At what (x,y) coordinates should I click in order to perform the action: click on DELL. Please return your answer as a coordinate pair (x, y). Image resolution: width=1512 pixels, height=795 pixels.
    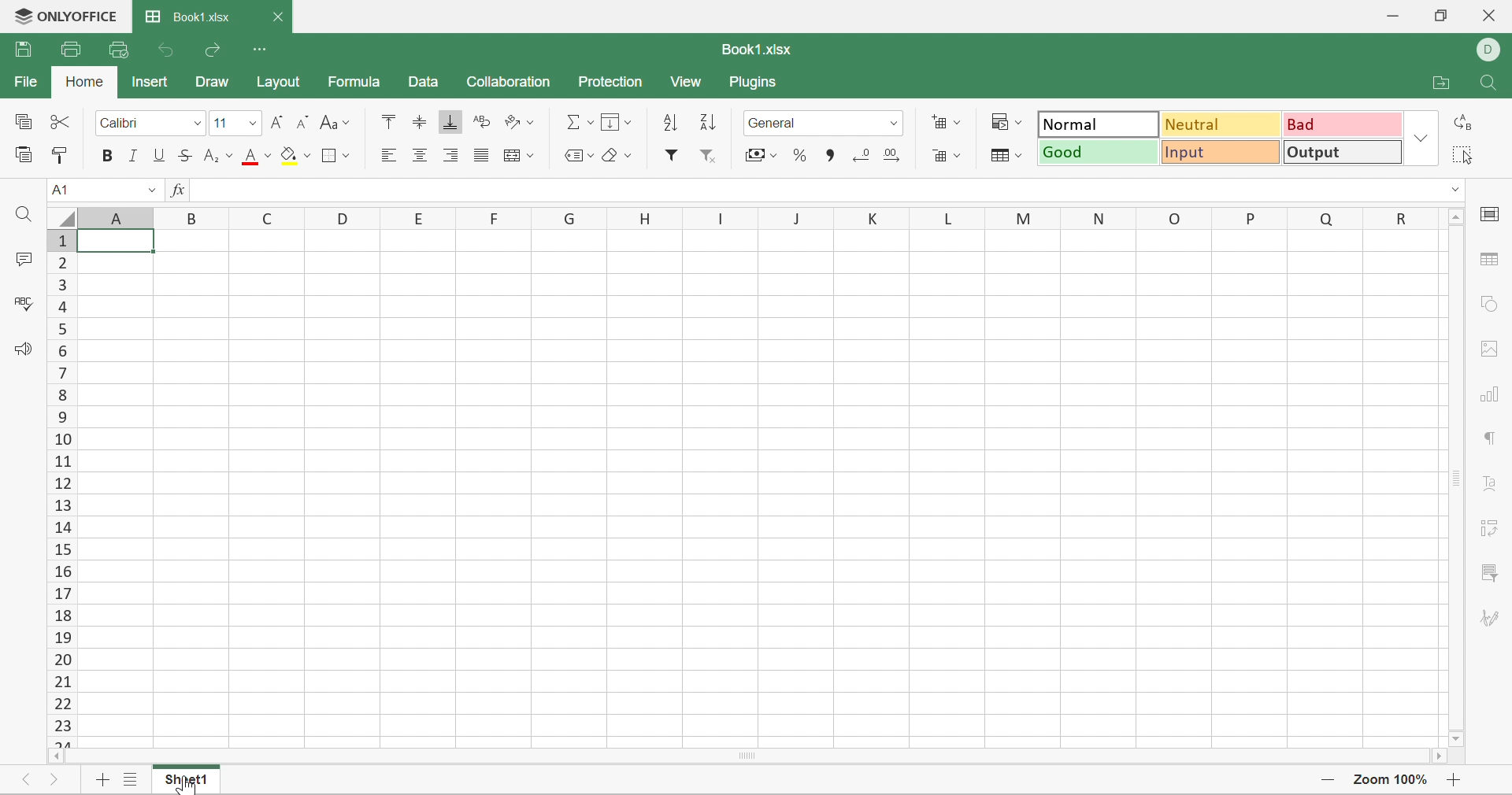
    Looking at the image, I should click on (1492, 50).